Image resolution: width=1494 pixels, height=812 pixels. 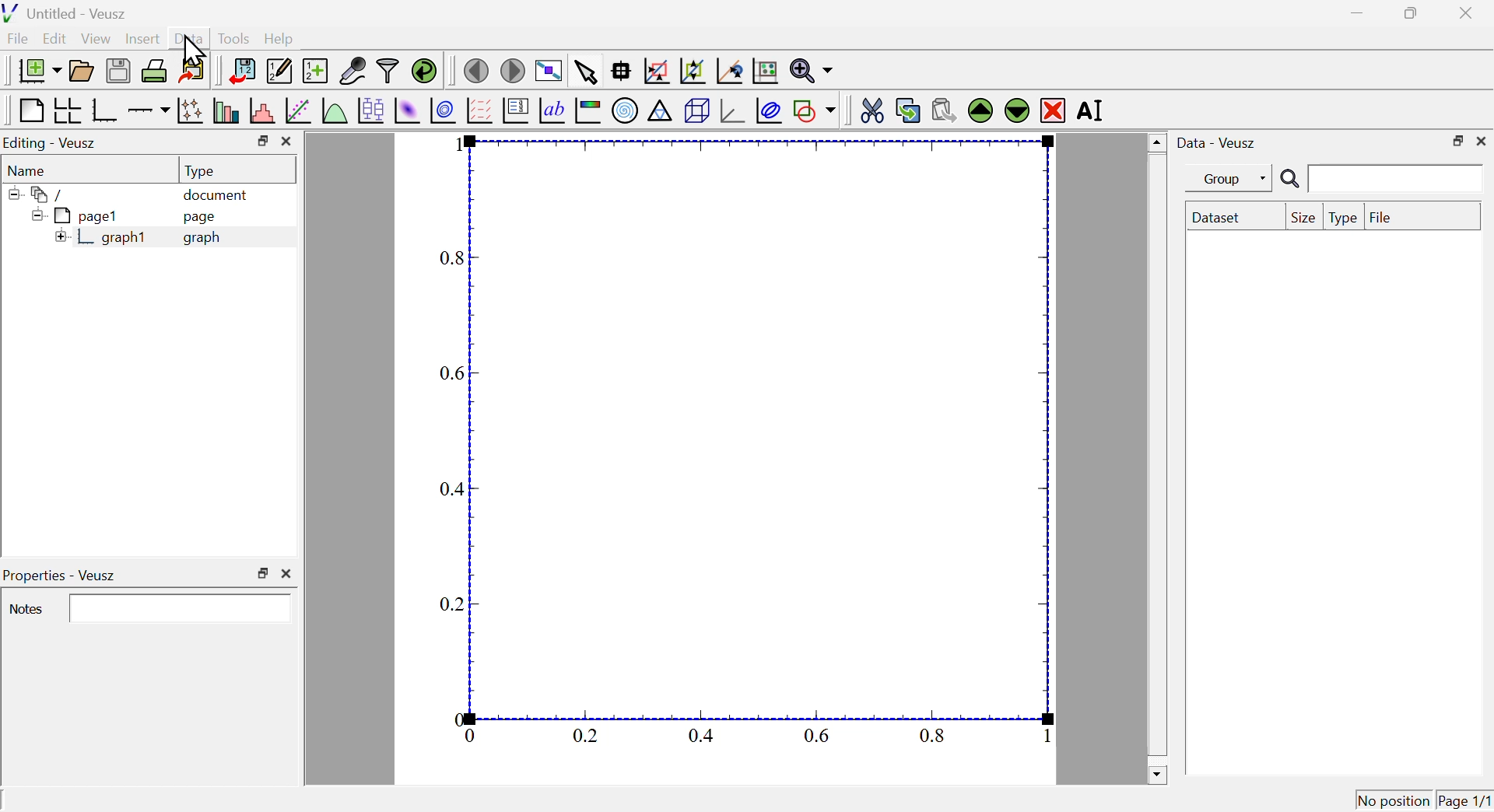 What do you see at coordinates (1301, 217) in the screenshot?
I see `size` at bounding box center [1301, 217].